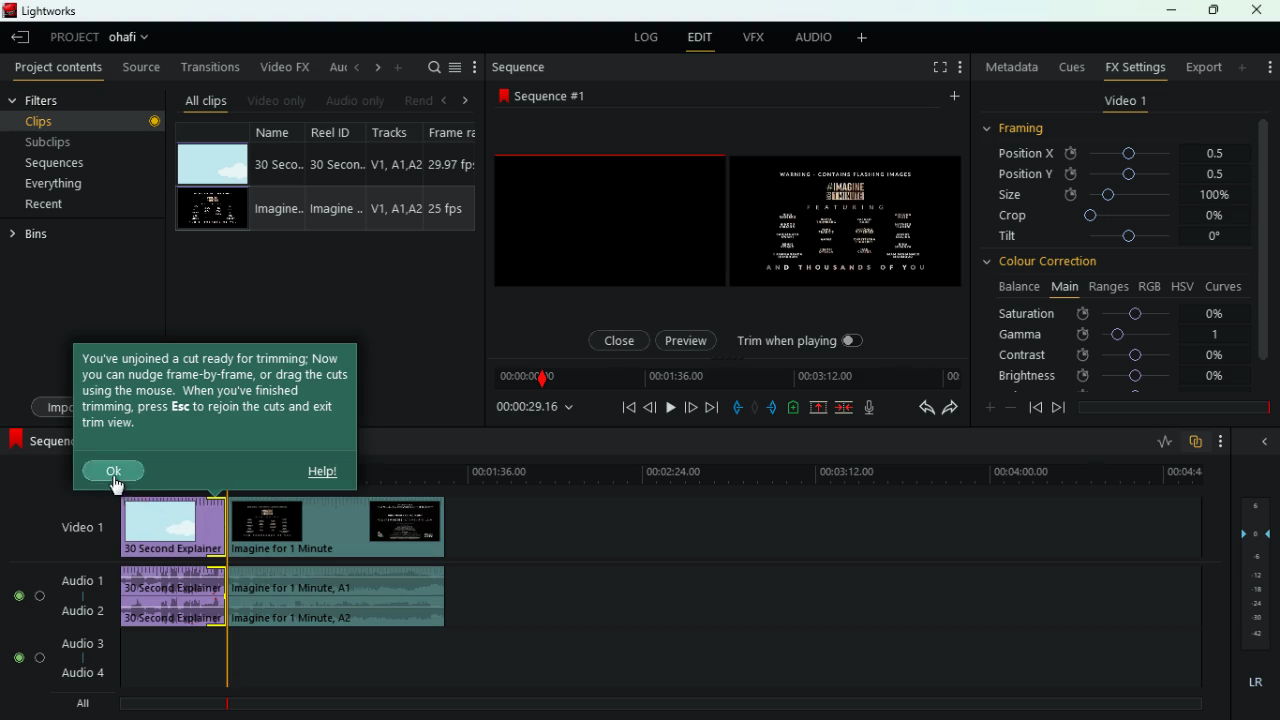 The width and height of the screenshot is (1280, 720). Describe the element at coordinates (650, 407) in the screenshot. I see `back` at that location.